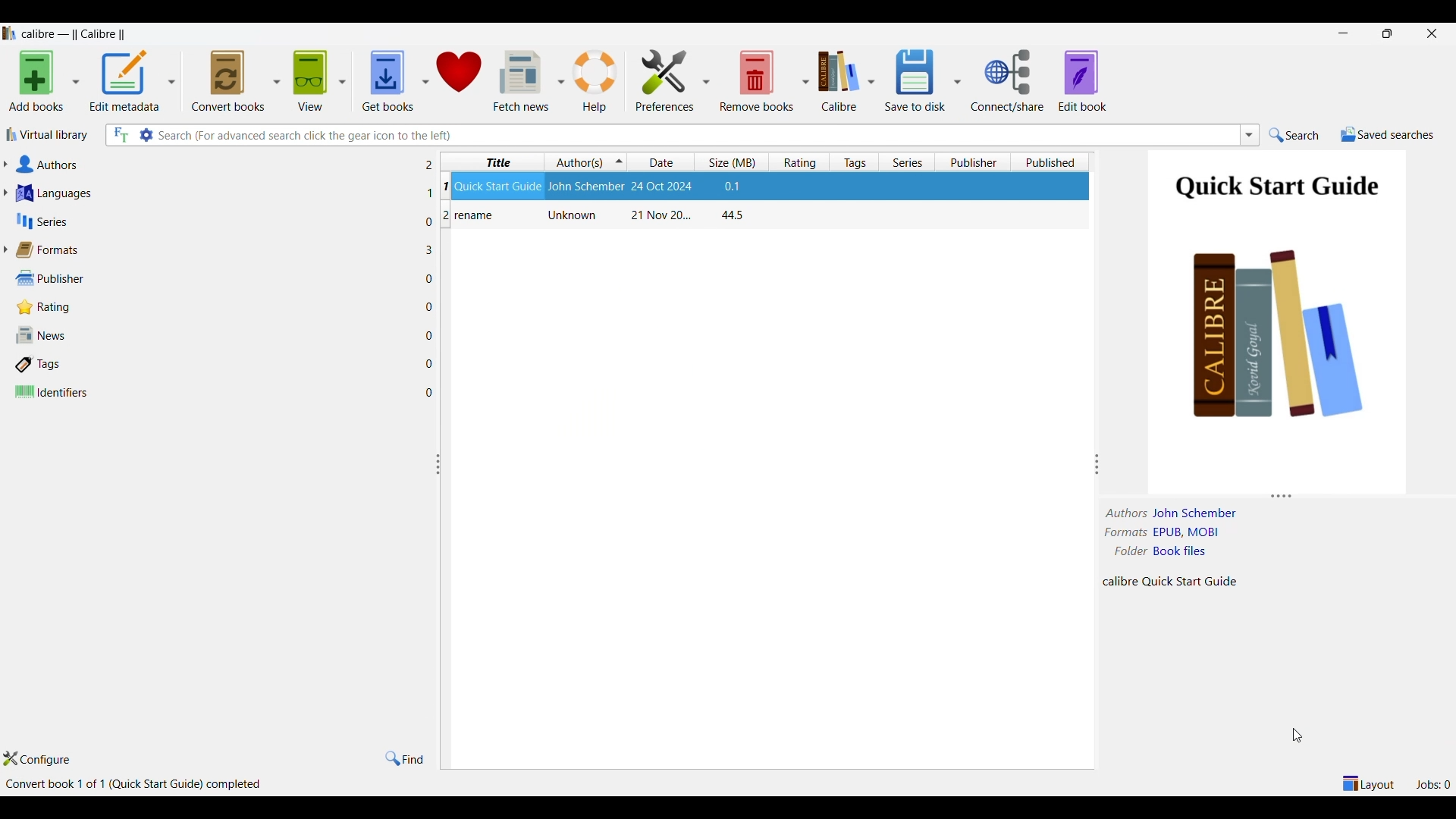 This screenshot has height=819, width=1456. Describe the element at coordinates (136, 786) in the screenshot. I see `Details about software` at that location.